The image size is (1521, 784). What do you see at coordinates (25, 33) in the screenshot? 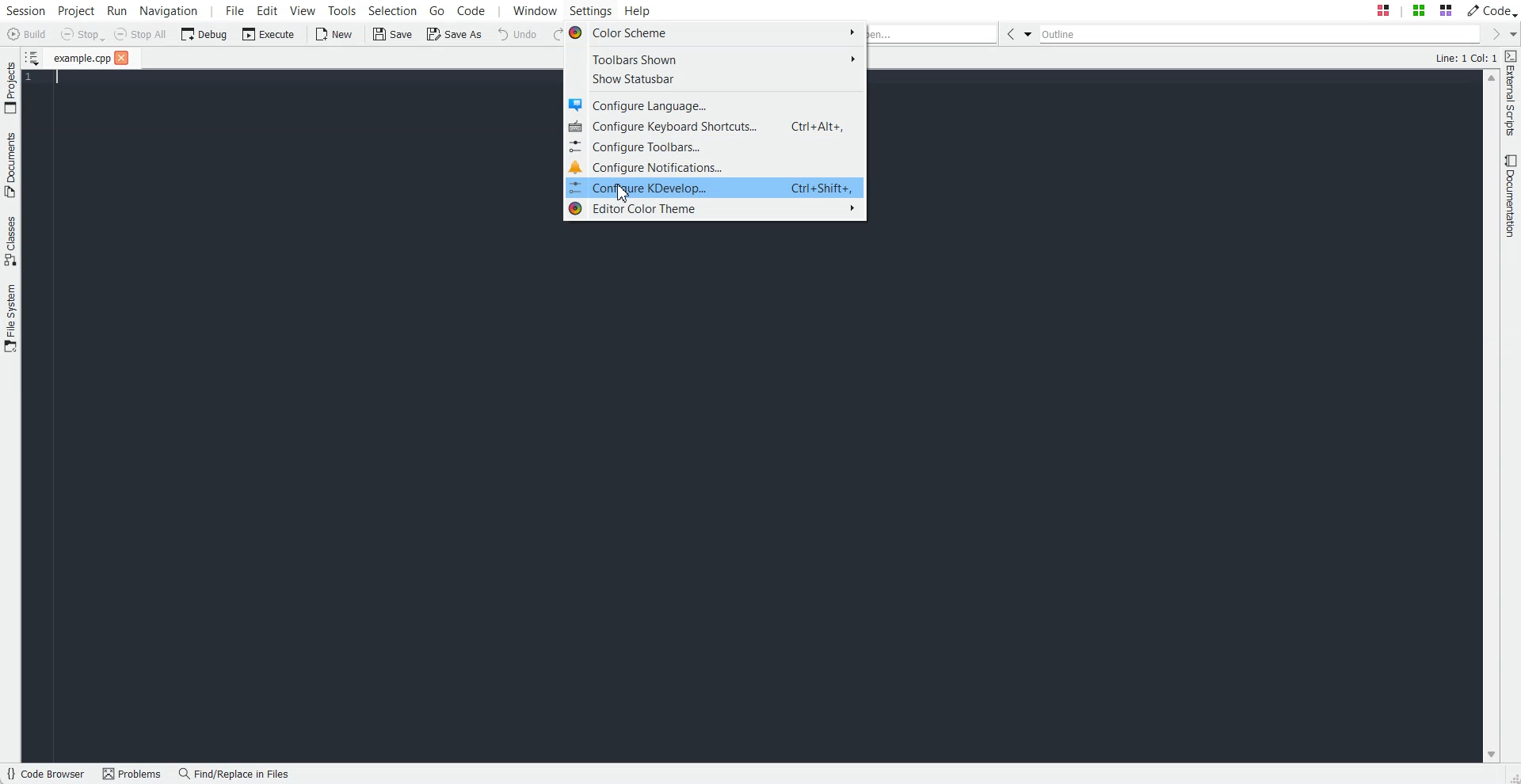
I see `Build` at bounding box center [25, 33].